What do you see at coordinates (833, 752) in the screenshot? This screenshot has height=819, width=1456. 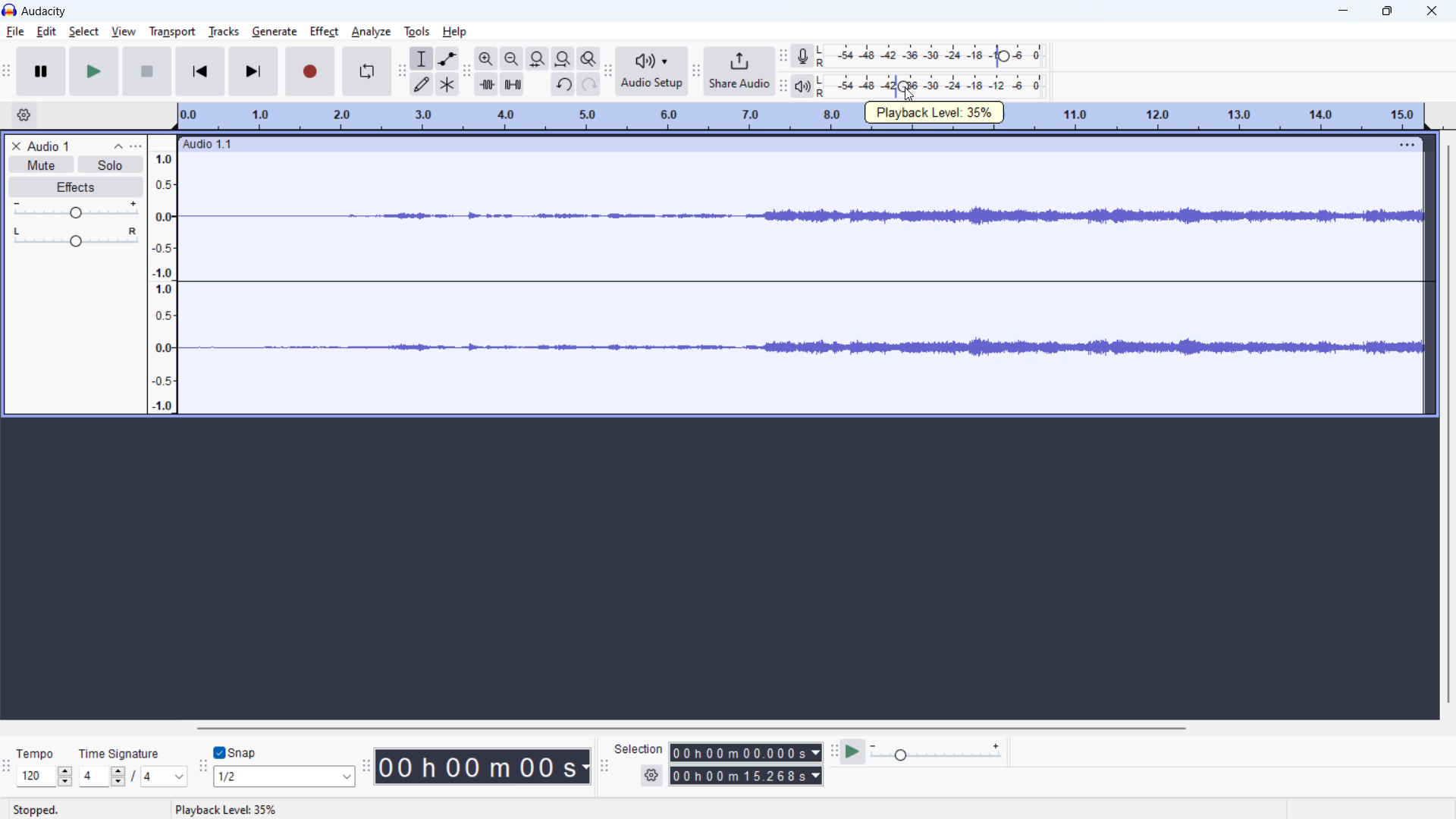 I see `play at speed toolbar` at bounding box center [833, 752].